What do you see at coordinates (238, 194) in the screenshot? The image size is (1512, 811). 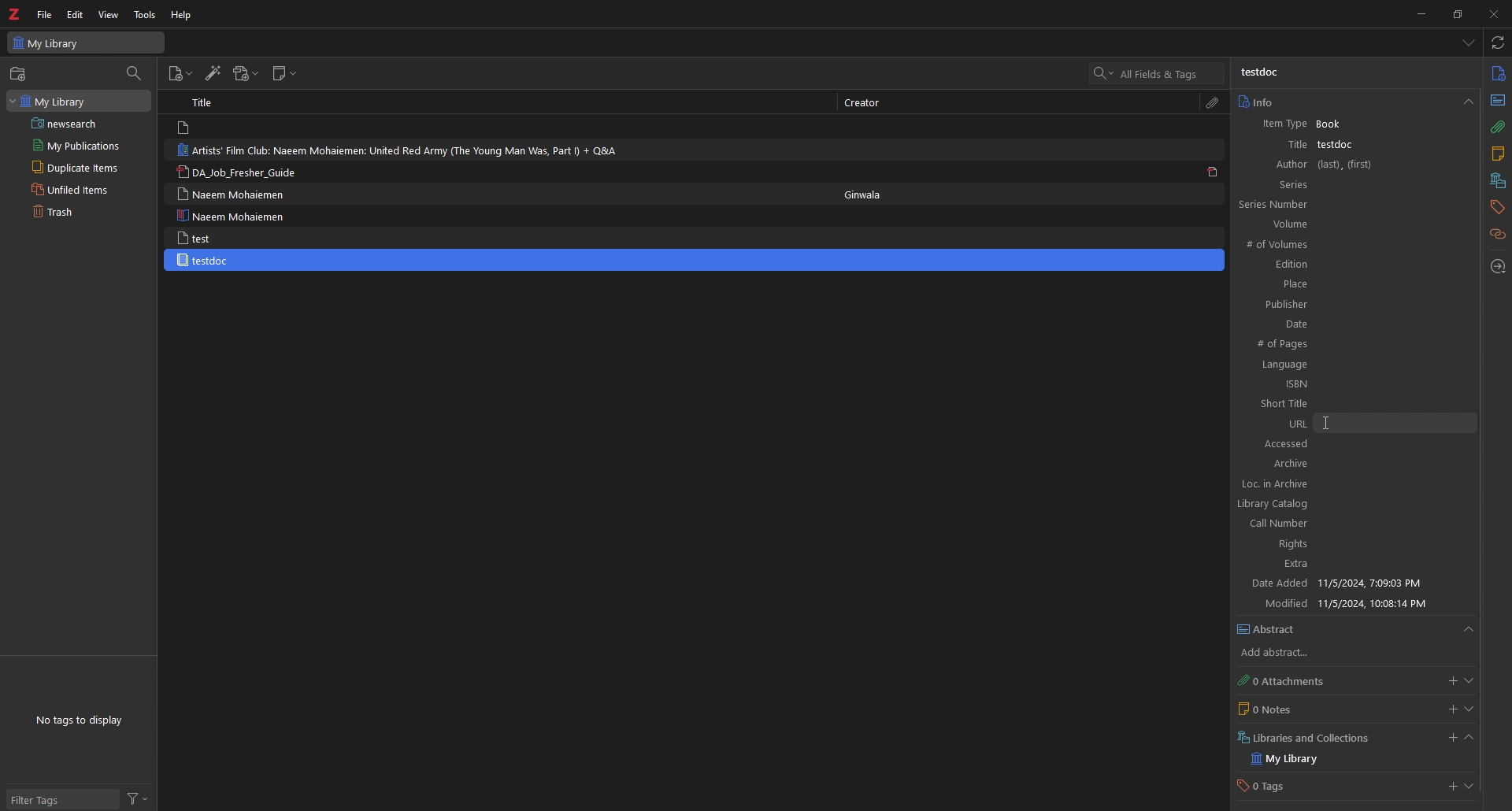 I see `Naeem Mohaiemen` at bounding box center [238, 194].